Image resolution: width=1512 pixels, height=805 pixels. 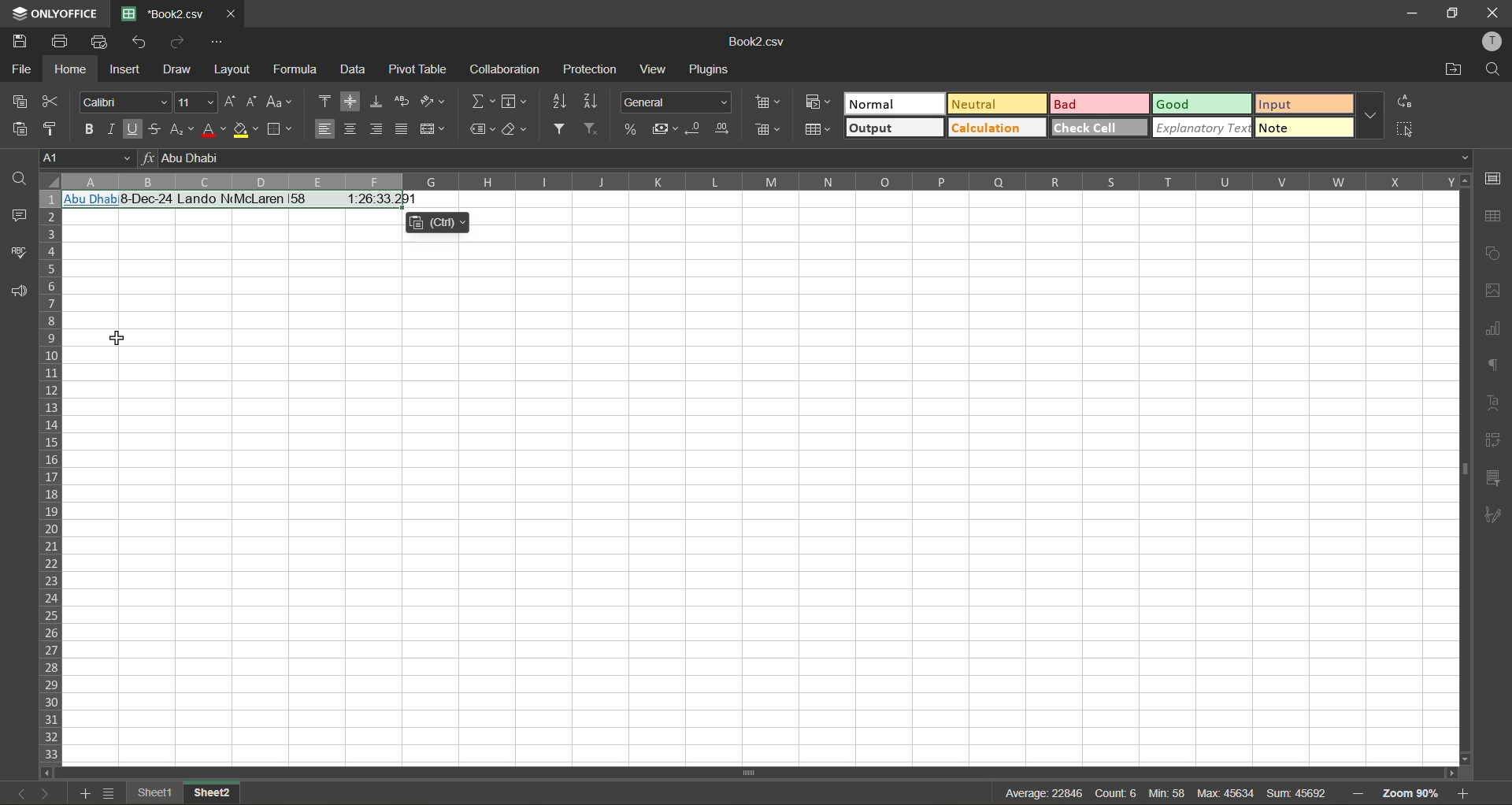 What do you see at coordinates (807, 158) in the screenshot?
I see `formula bar` at bounding box center [807, 158].